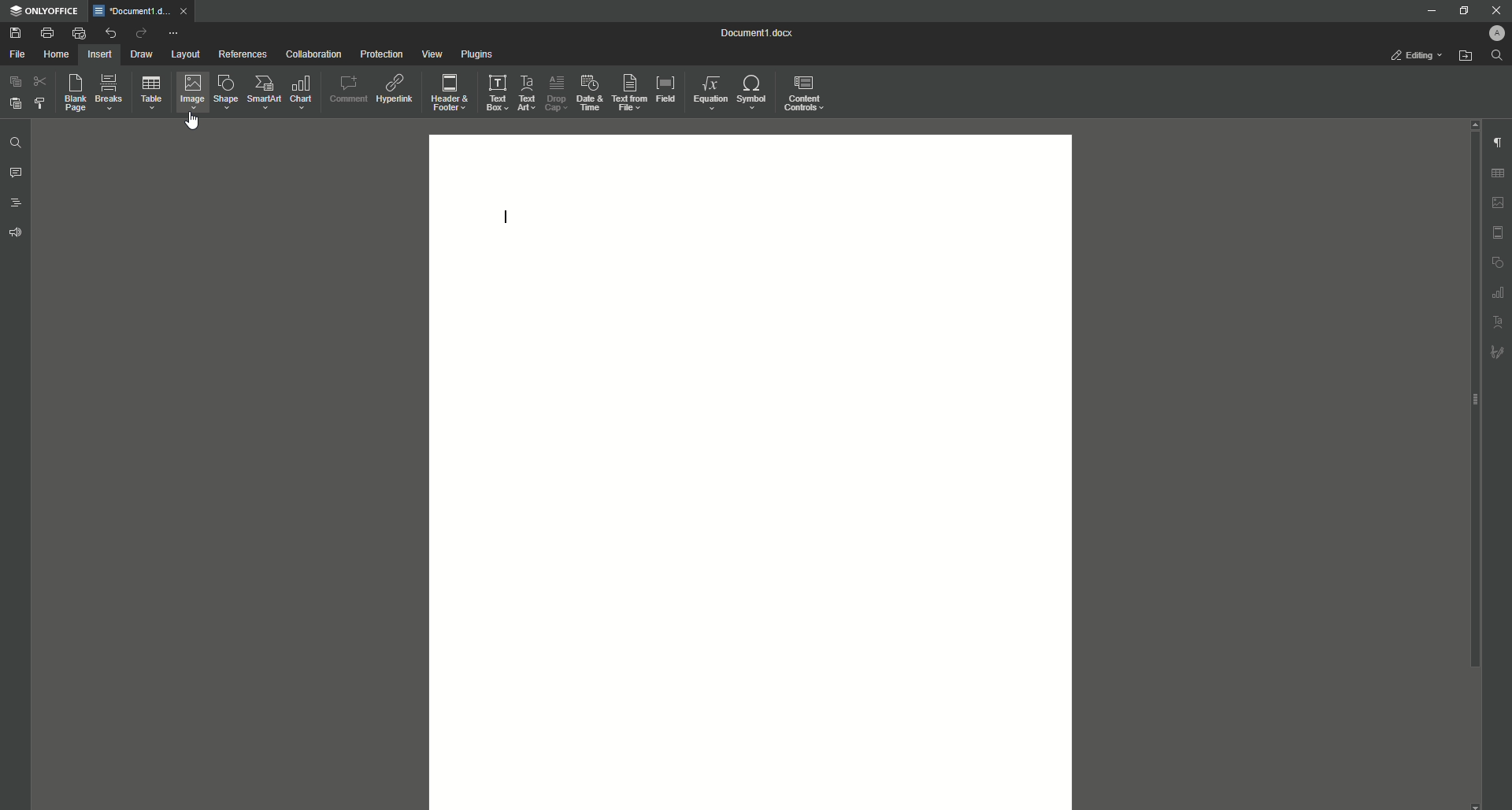 The width and height of the screenshot is (1512, 810). What do you see at coordinates (265, 91) in the screenshot?
I see `SmartArt` at bounding box center [265, 91].